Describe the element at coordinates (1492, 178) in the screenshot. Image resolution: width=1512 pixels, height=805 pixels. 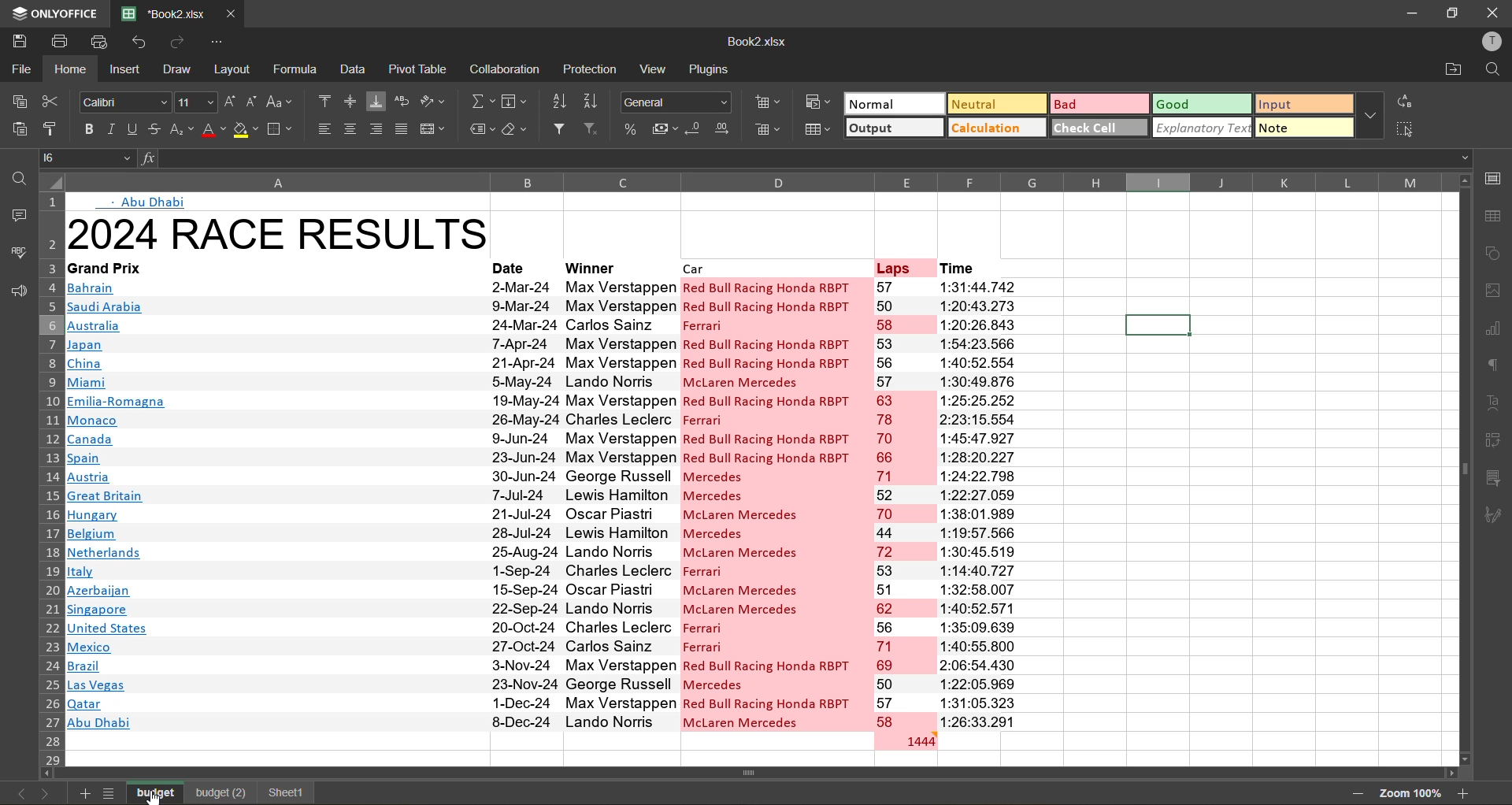
I see `call settings` at that location.